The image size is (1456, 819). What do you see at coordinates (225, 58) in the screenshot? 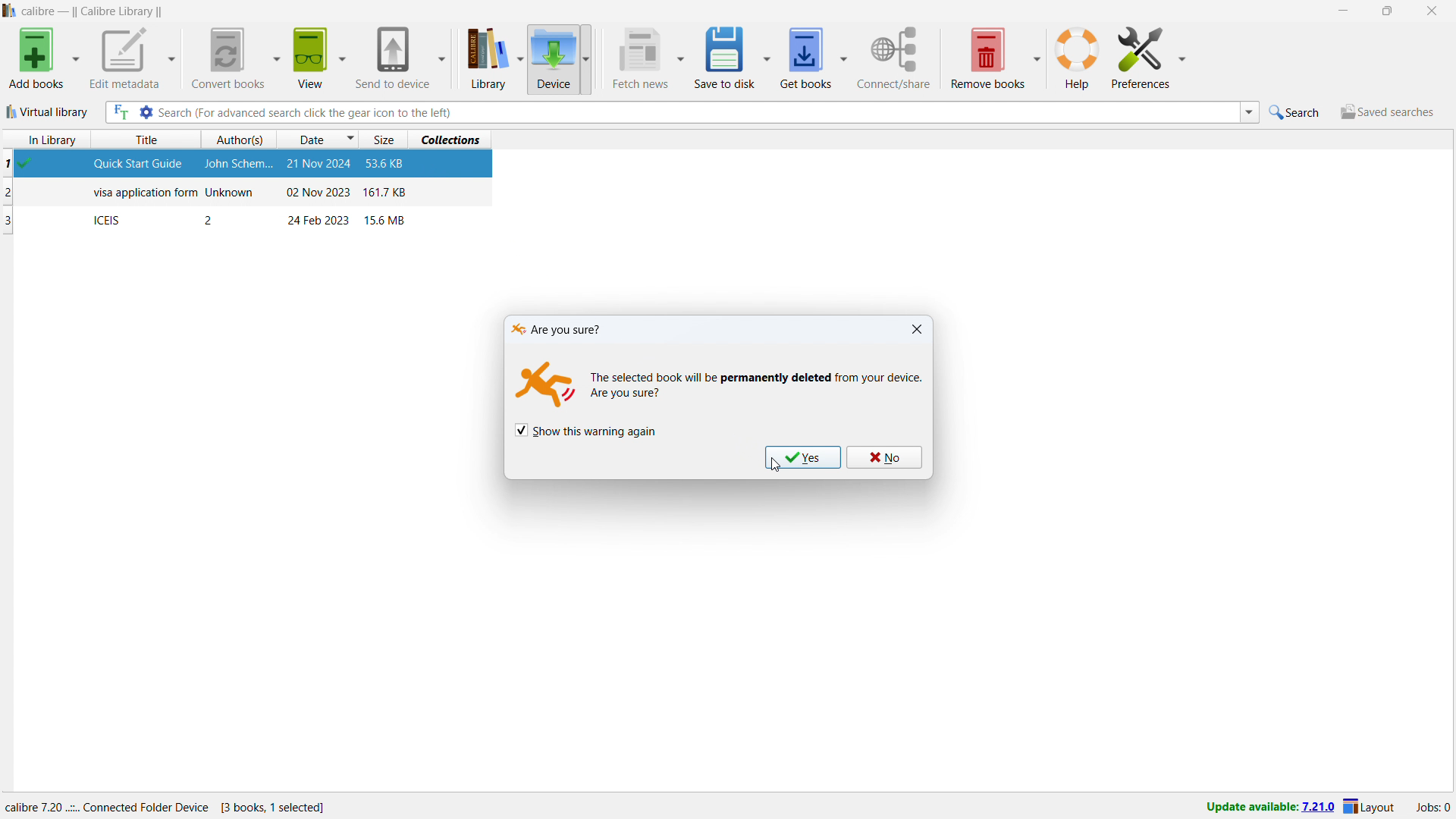
I see `convert books` at bounding box center [225, 58].